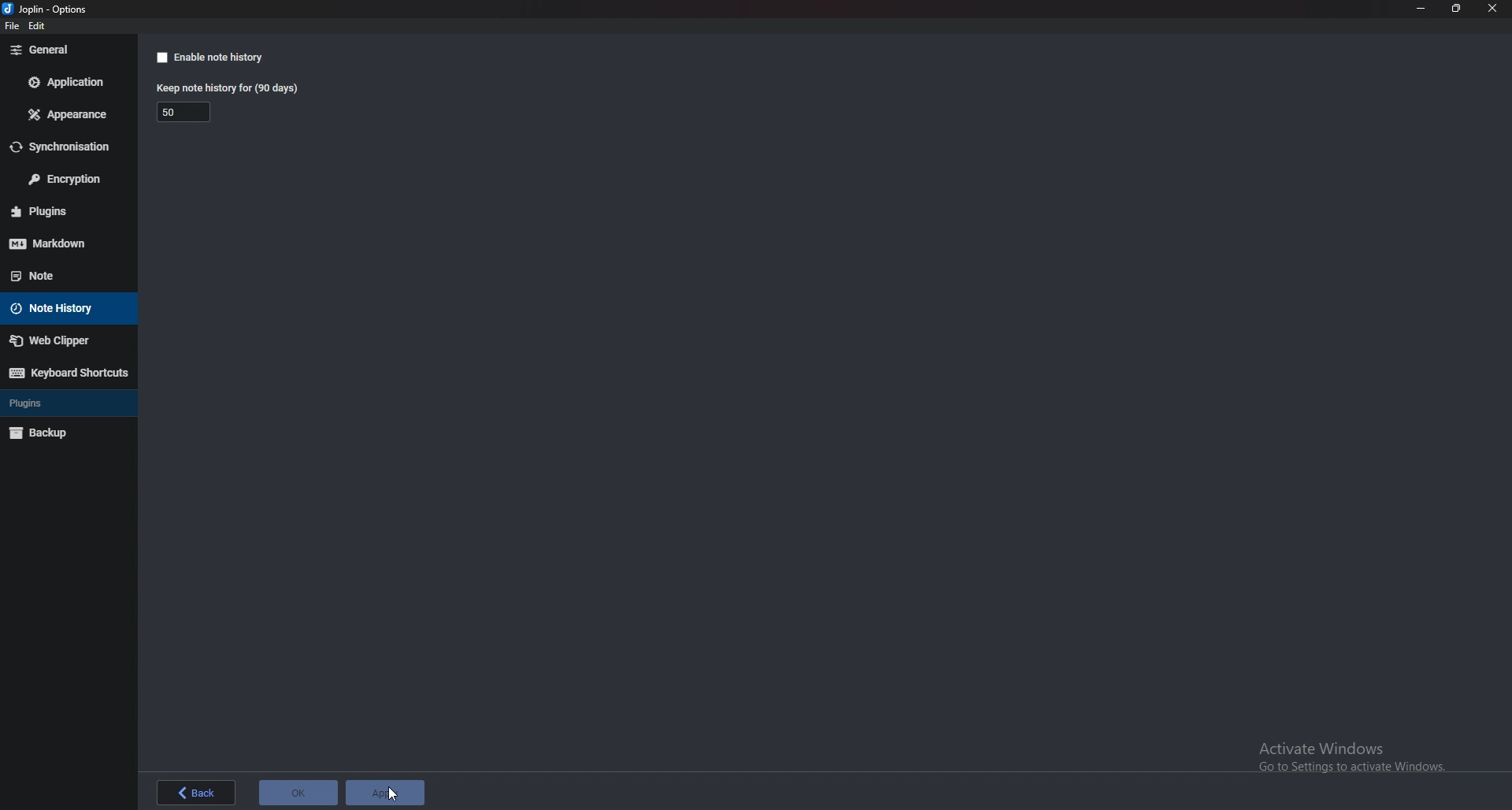 This screenshot has width=1512, height=810. I want to click on Enable note history, so click(208, 57).